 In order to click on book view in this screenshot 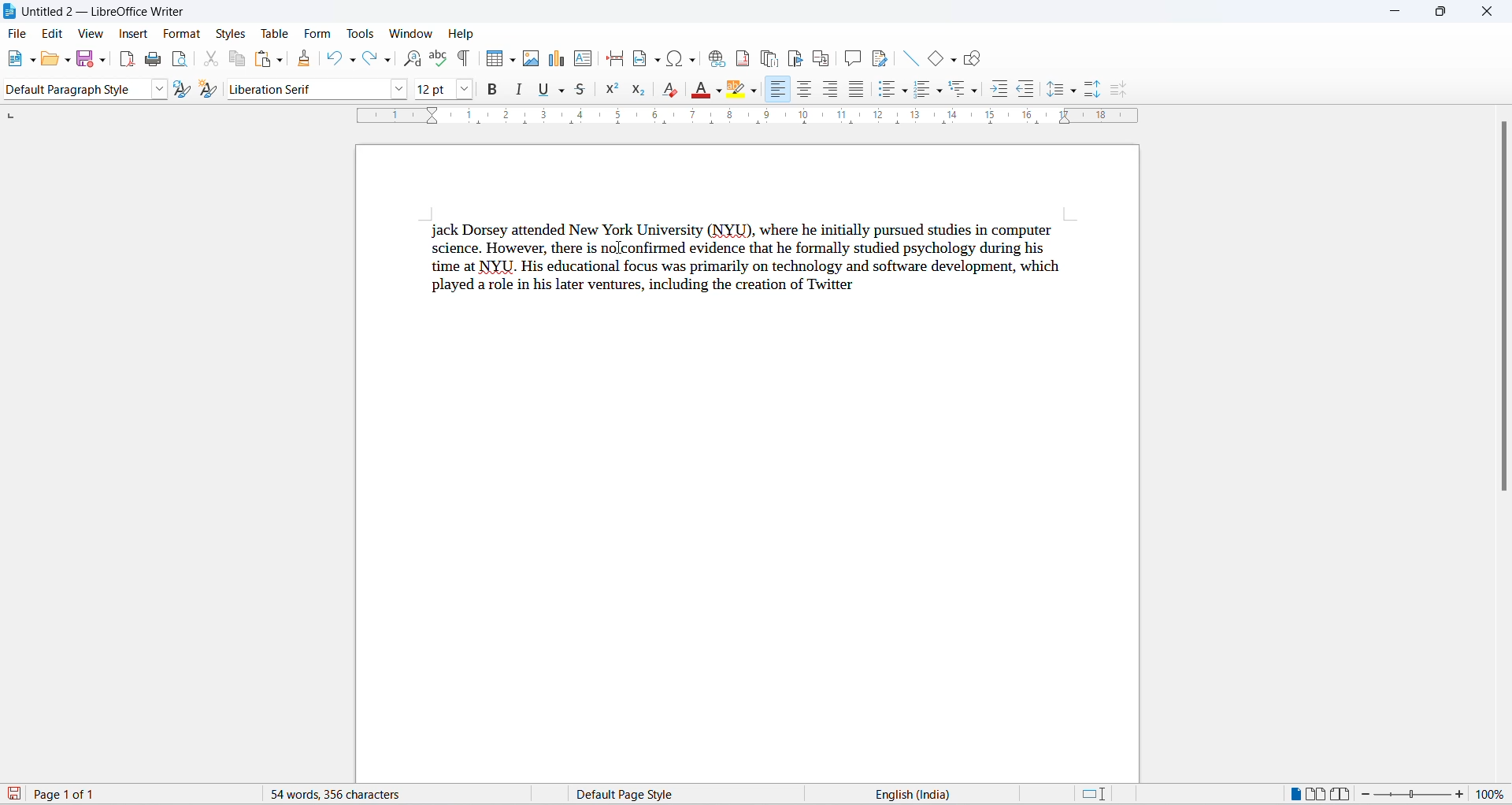, I will do `click(1343, 795)`.